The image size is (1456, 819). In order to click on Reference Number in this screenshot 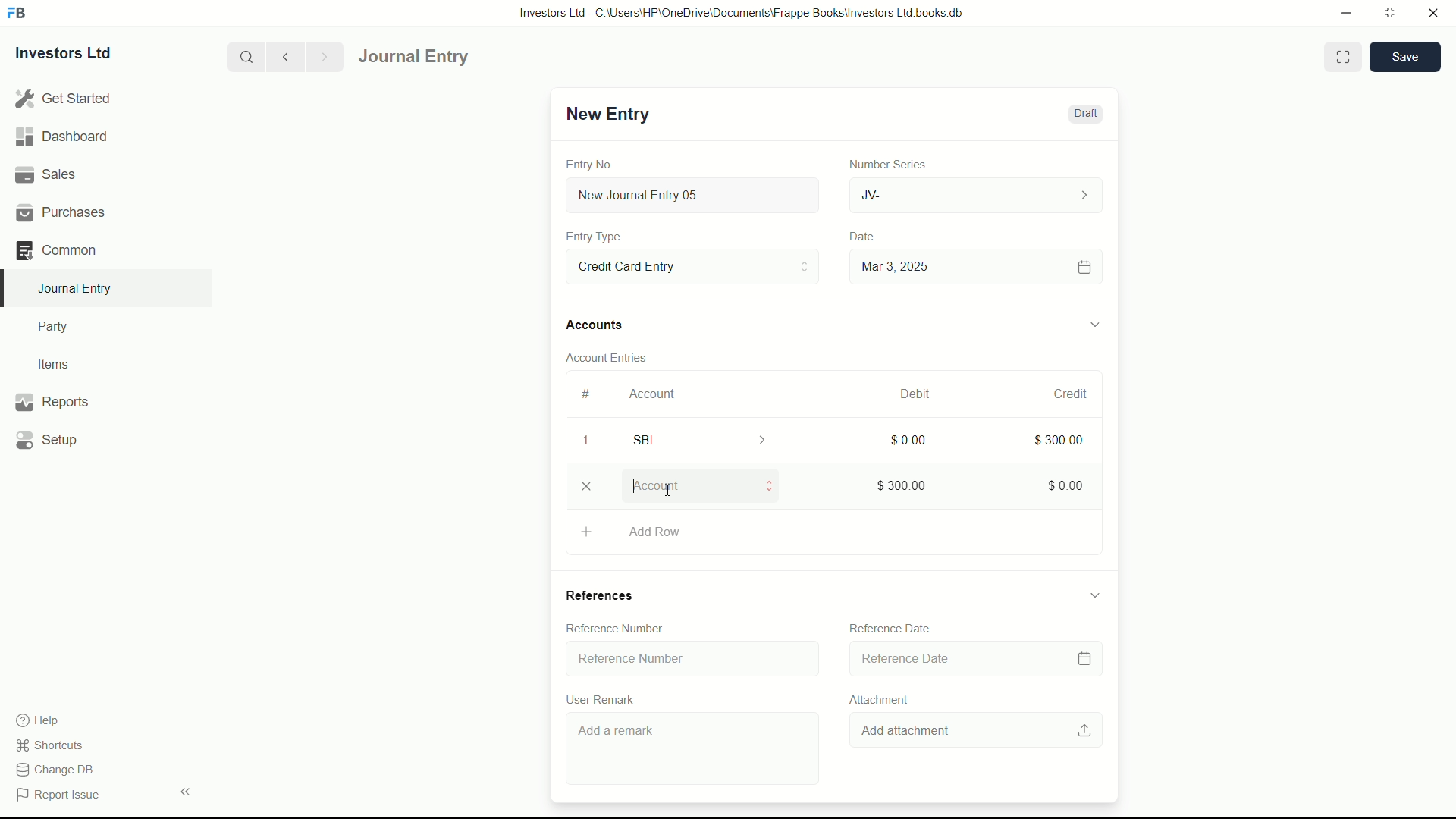, I will do `click(612, 630)`.